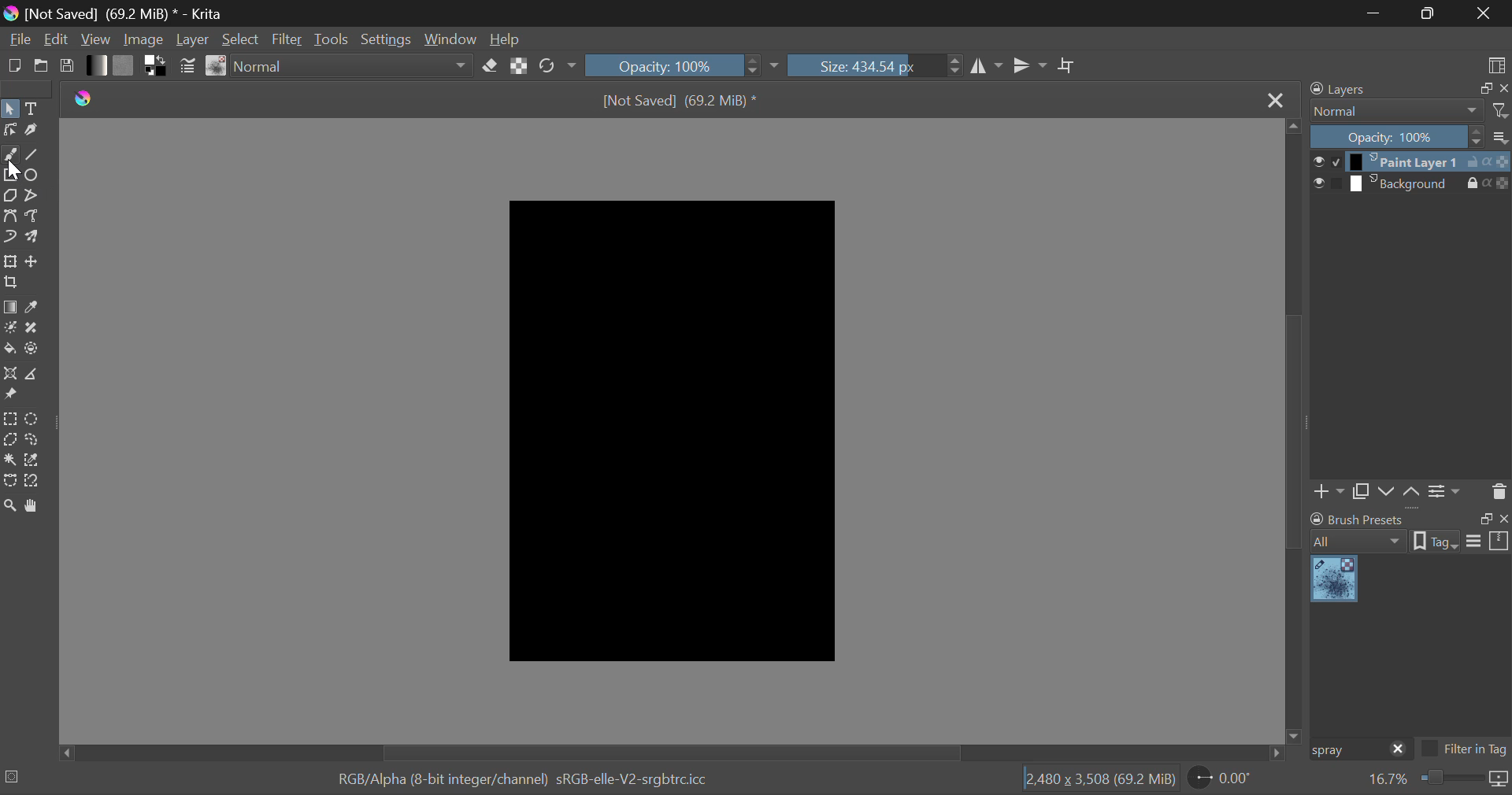 This screenshot has width=1512, height=795. Describe the element at coordinates (984, 66) in the screenshot. I see `Vertical Mirror Flip` at that location.